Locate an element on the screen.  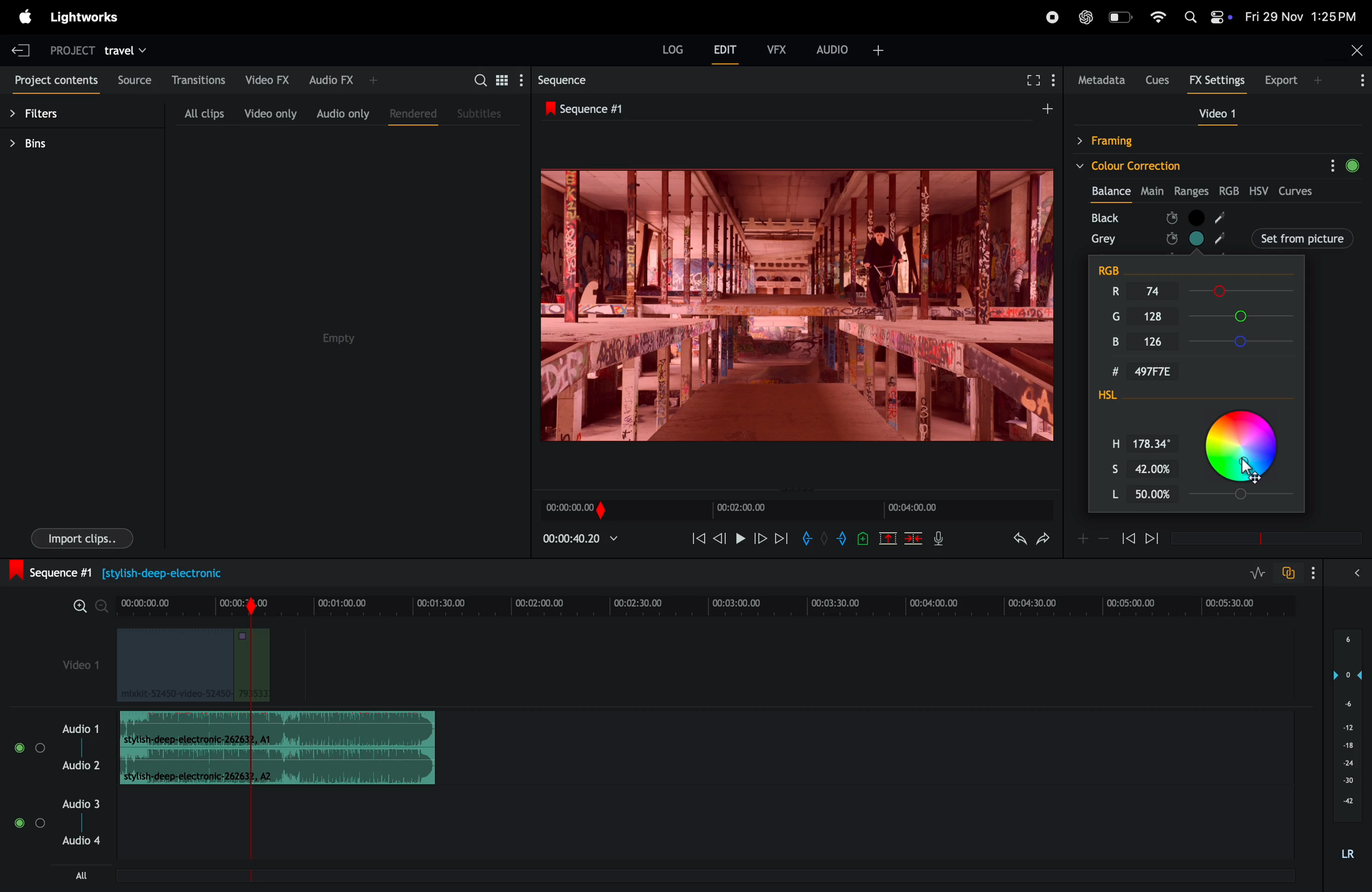
grey is located at coordinates (1104, 239).